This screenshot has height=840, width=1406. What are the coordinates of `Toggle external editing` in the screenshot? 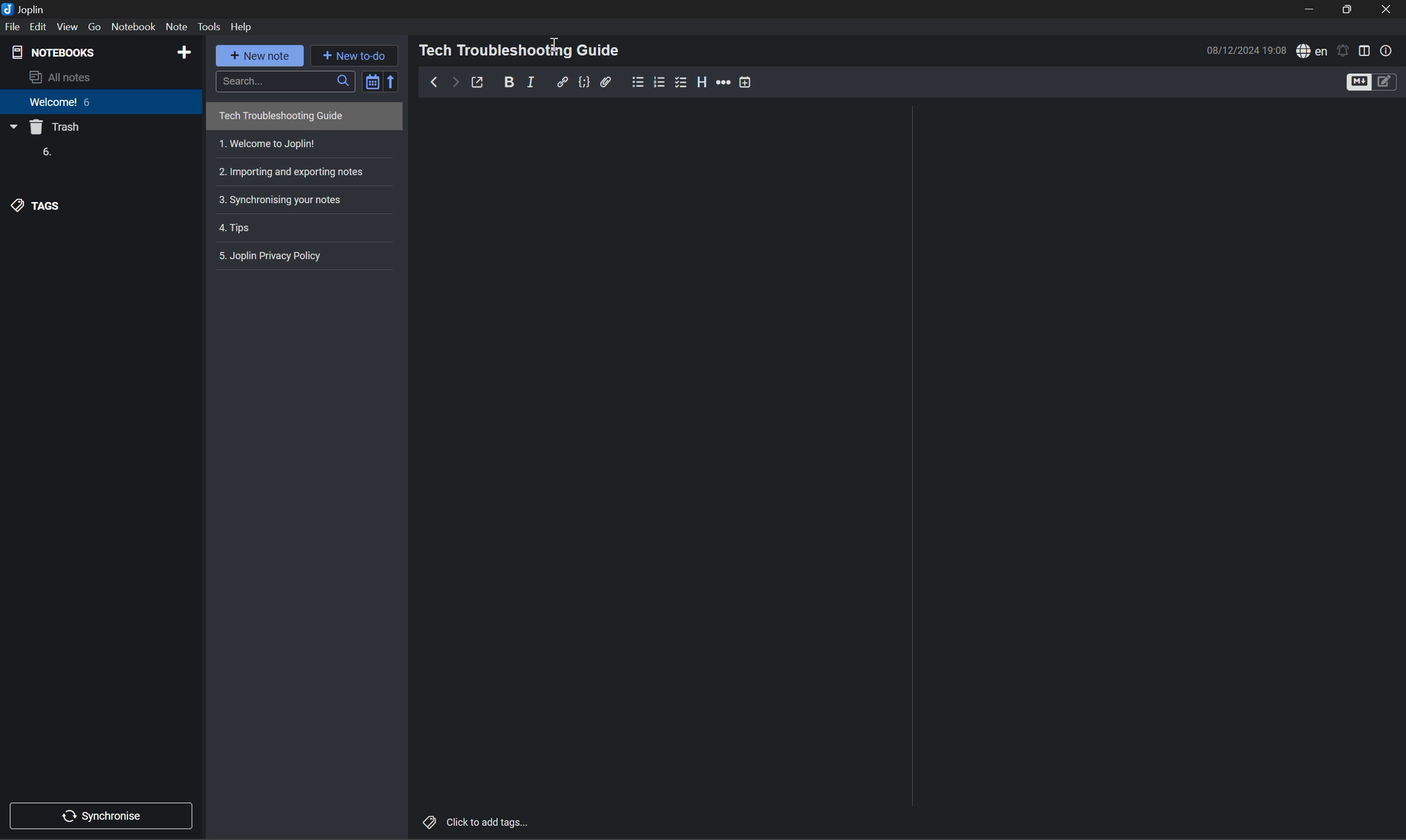 It's located at (480, 83).